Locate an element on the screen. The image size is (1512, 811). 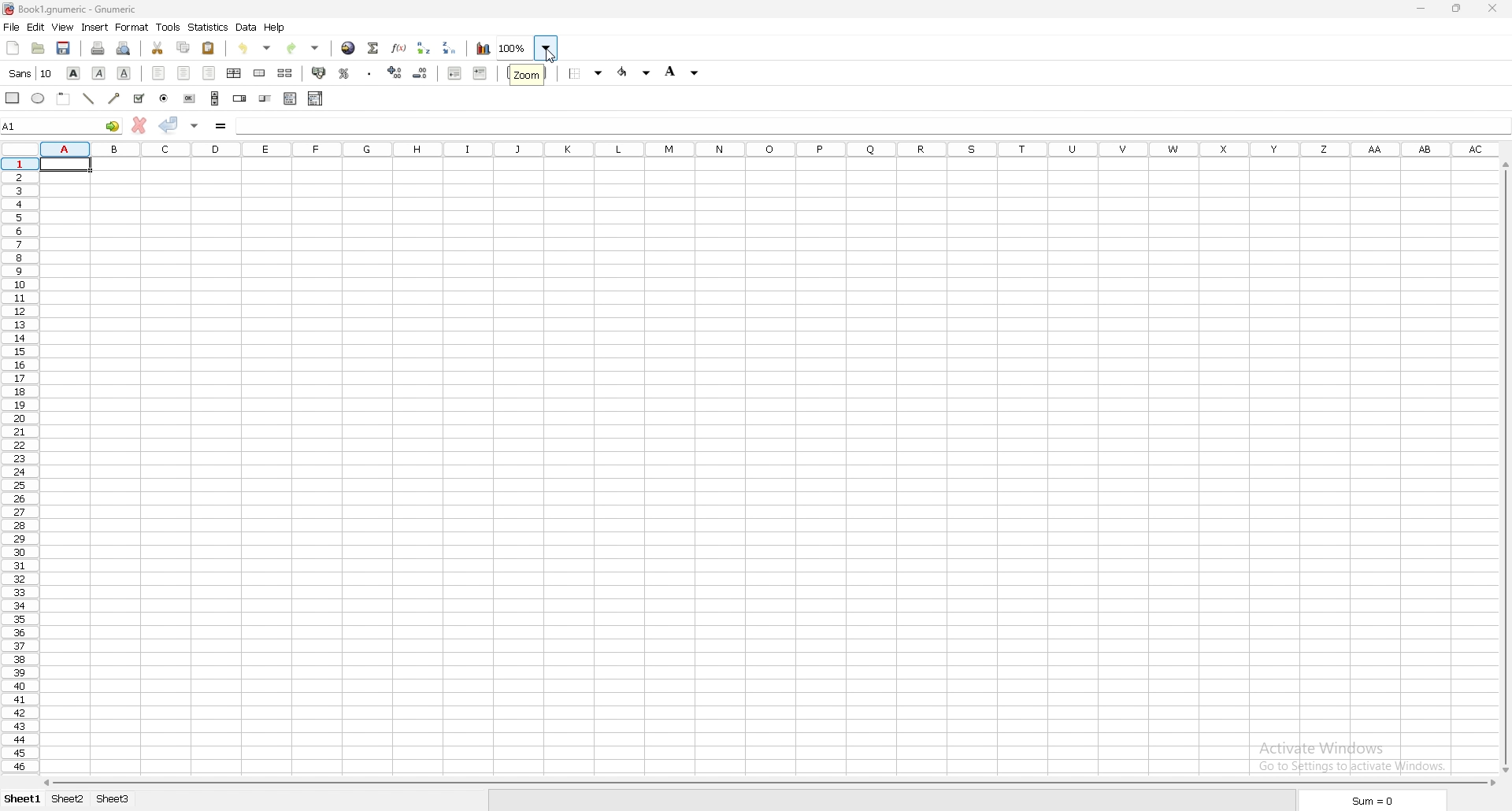
} Book1.gnumeric - Gnumeric is located at coordinates (75, 9).